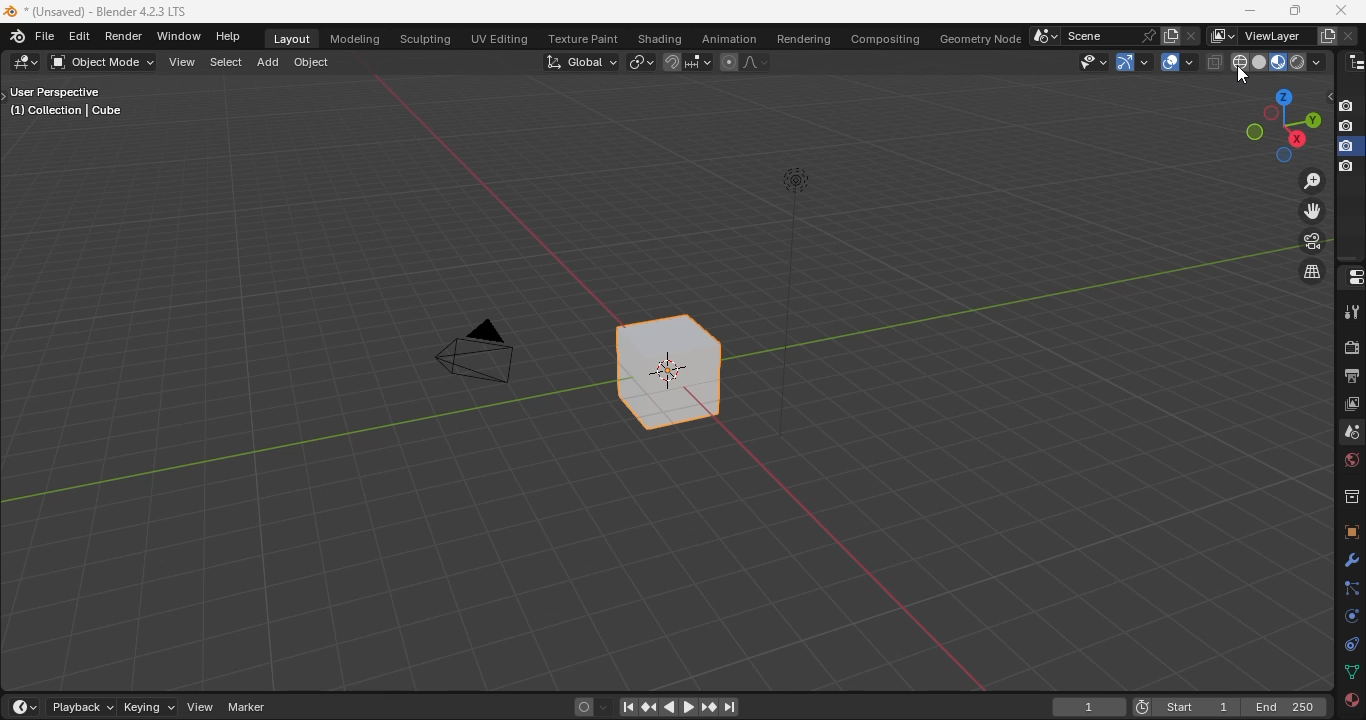  I want to click on setting, so click(1349, 561).